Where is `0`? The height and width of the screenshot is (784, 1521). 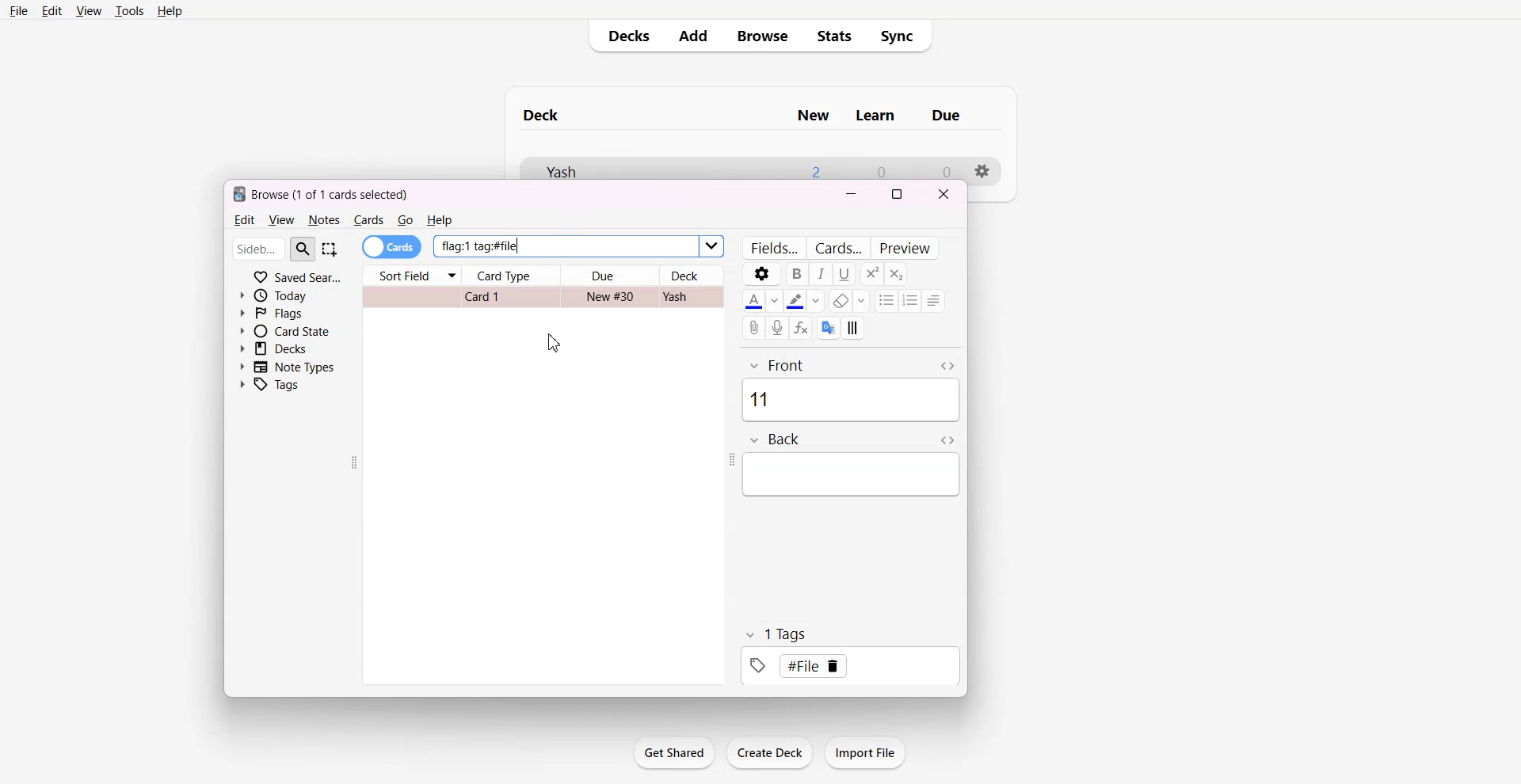
0 is located at coordinates (883, 169).